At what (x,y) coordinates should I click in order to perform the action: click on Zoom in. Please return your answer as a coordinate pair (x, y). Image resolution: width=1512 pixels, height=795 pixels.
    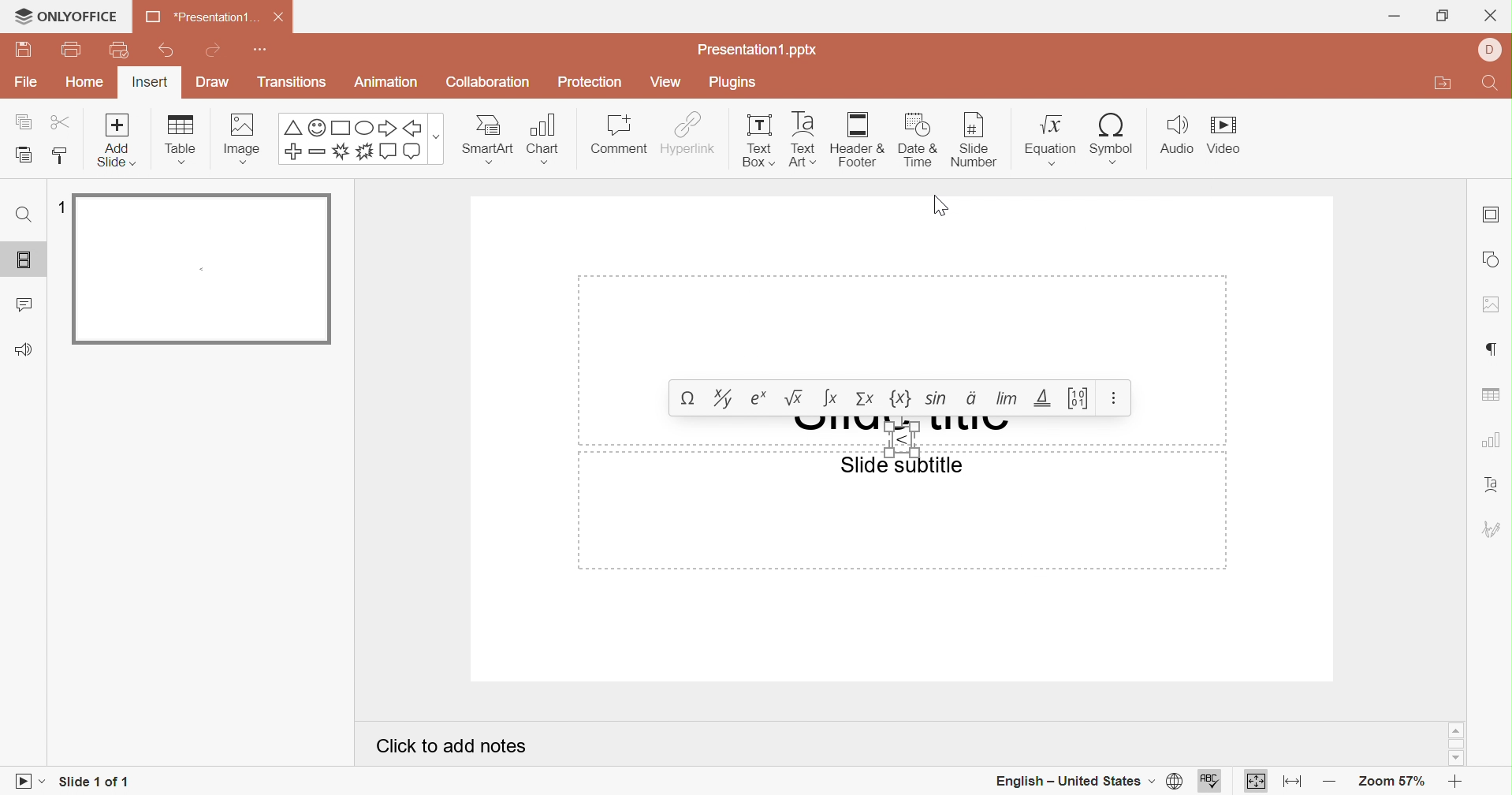
    Looking at the image, I should click on (1456, 783).